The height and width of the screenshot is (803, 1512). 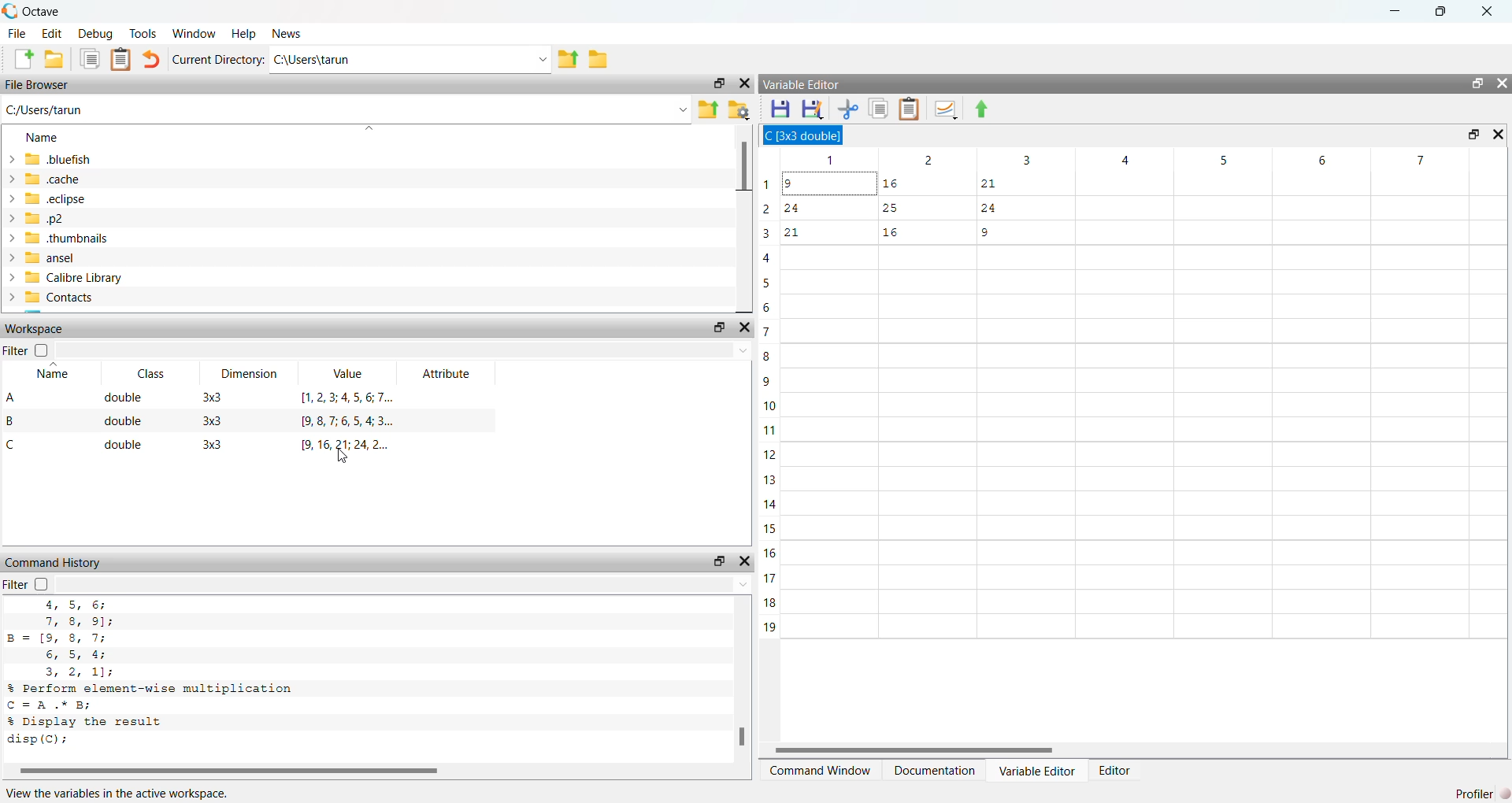 What do you see at coordinates (202, 445) in the screenshot?
I see `C double 3x3 9,16, 21; 24, 2...` at bounding box center [202, 445].